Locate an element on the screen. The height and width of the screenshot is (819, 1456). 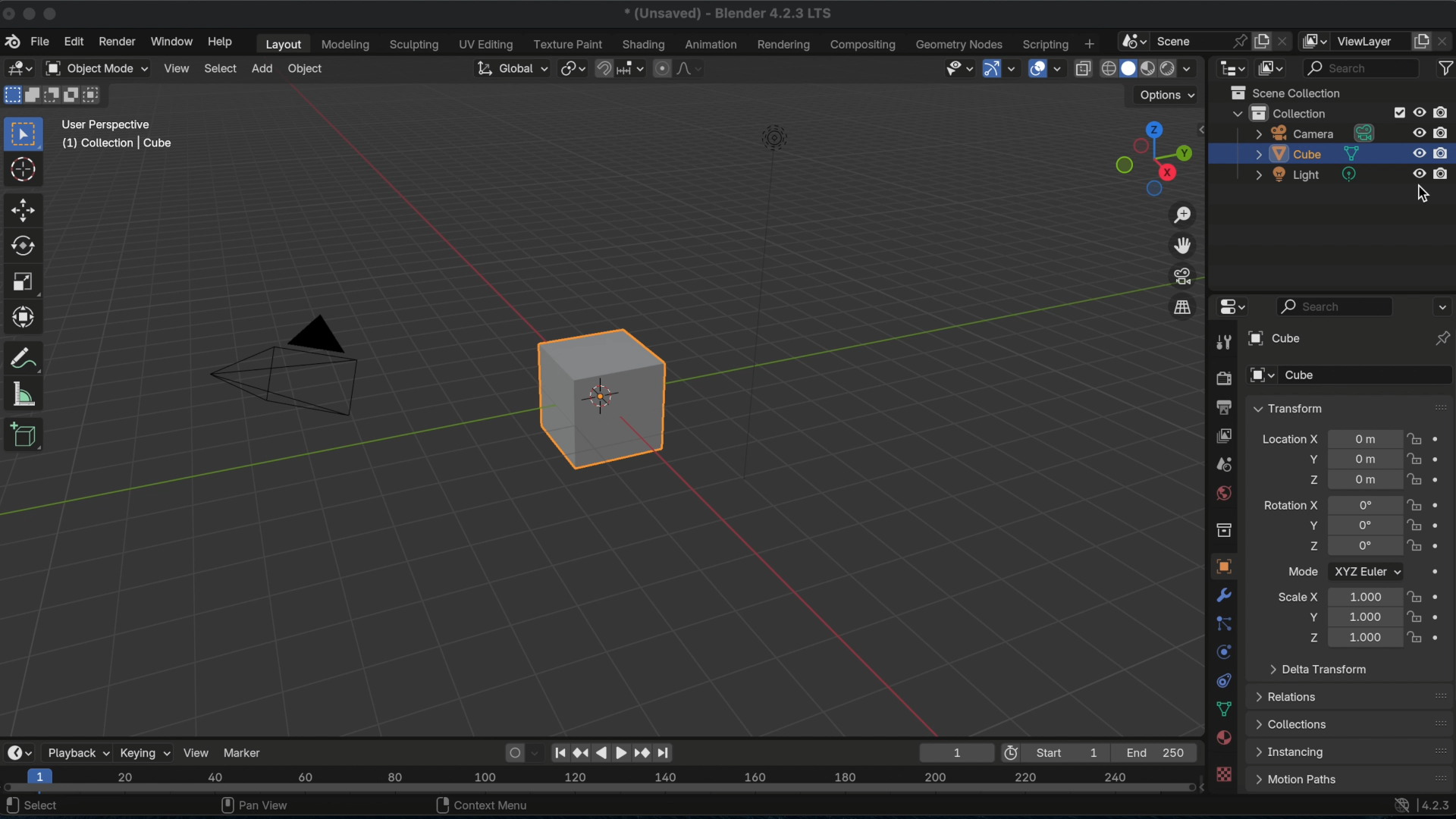
animate property is located at coordinates (1442, 636).